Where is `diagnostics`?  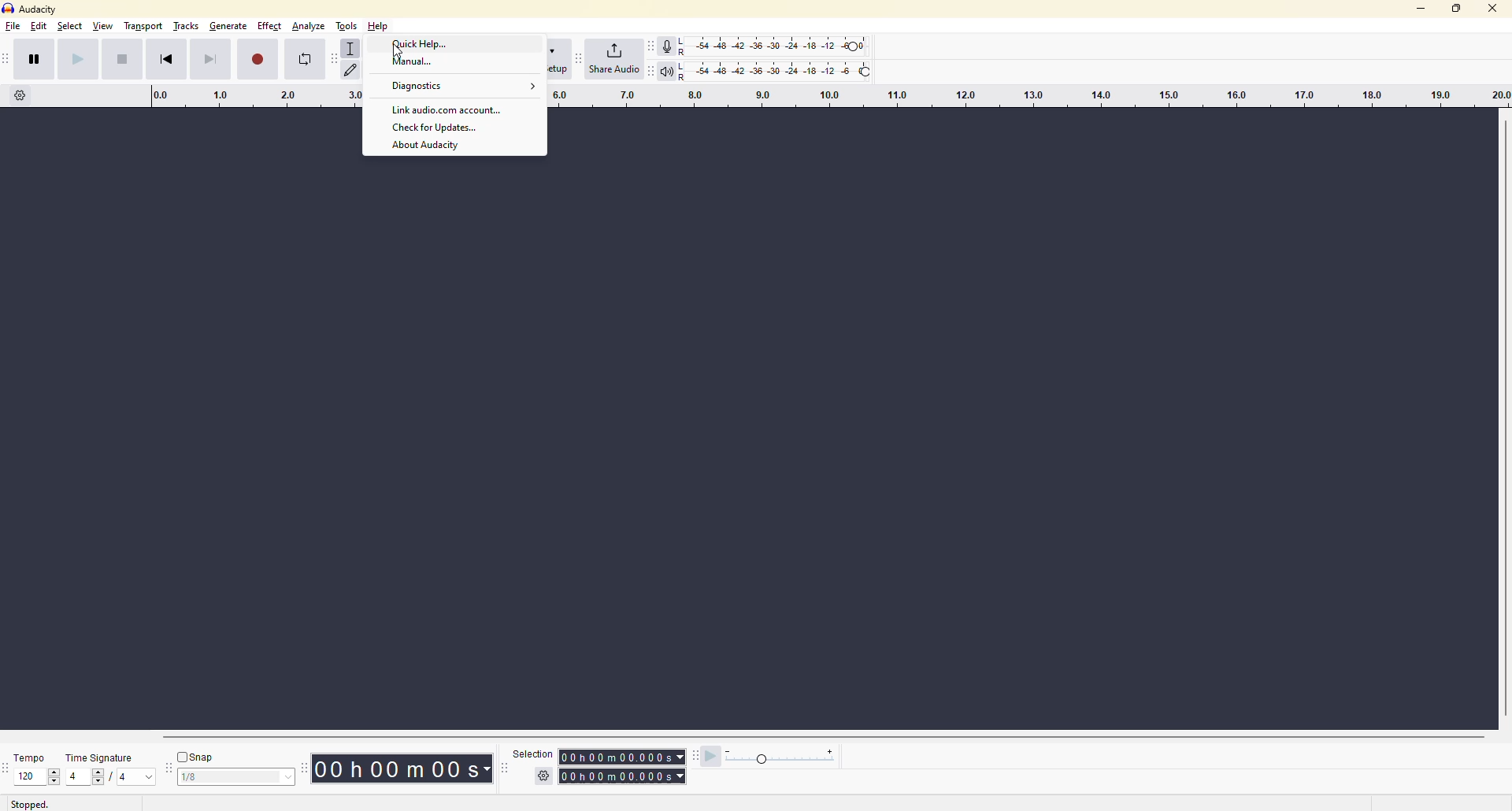 diagnostics is located at coordinates (463, 87).